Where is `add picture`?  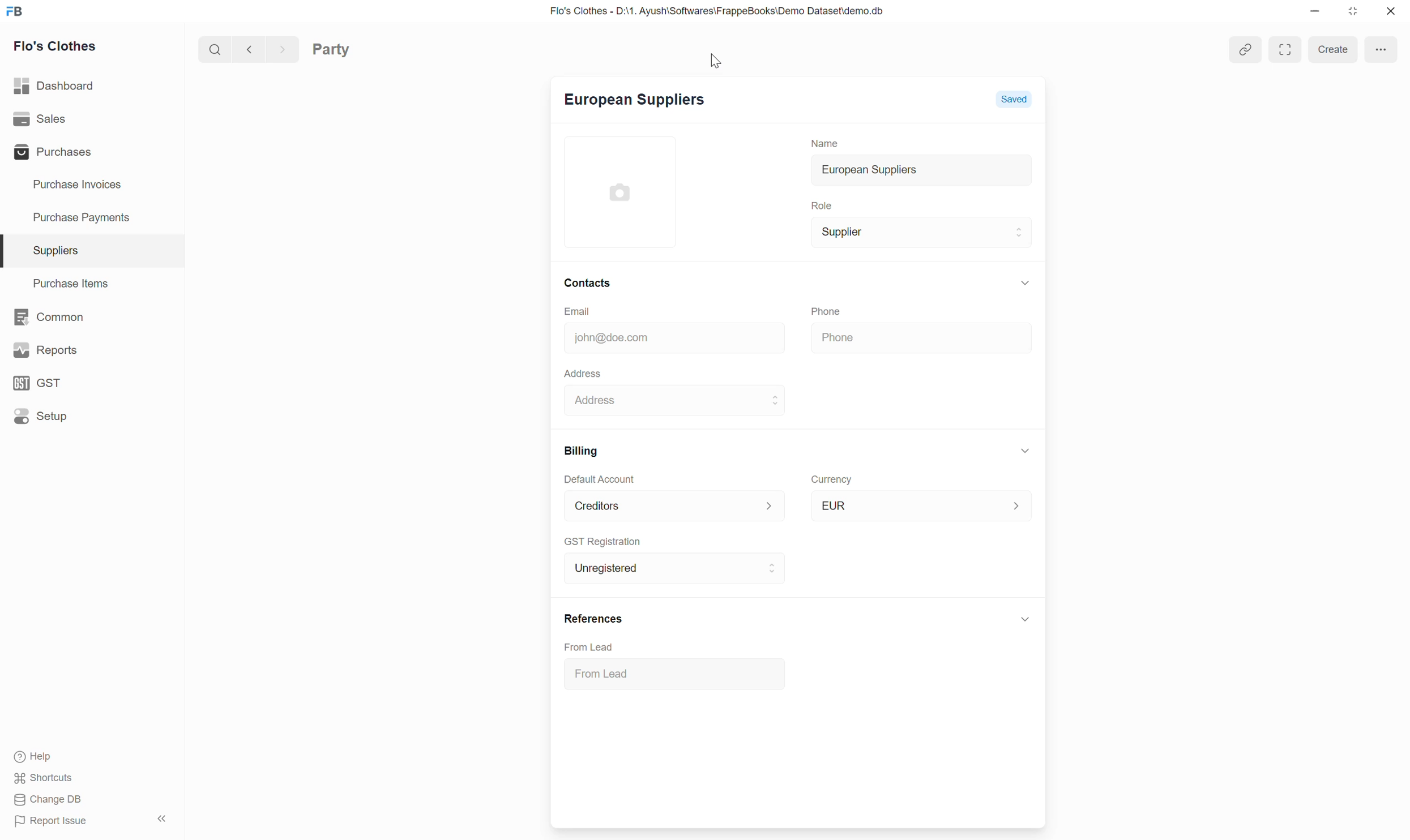
add picture is located at coordinates (630, 190).